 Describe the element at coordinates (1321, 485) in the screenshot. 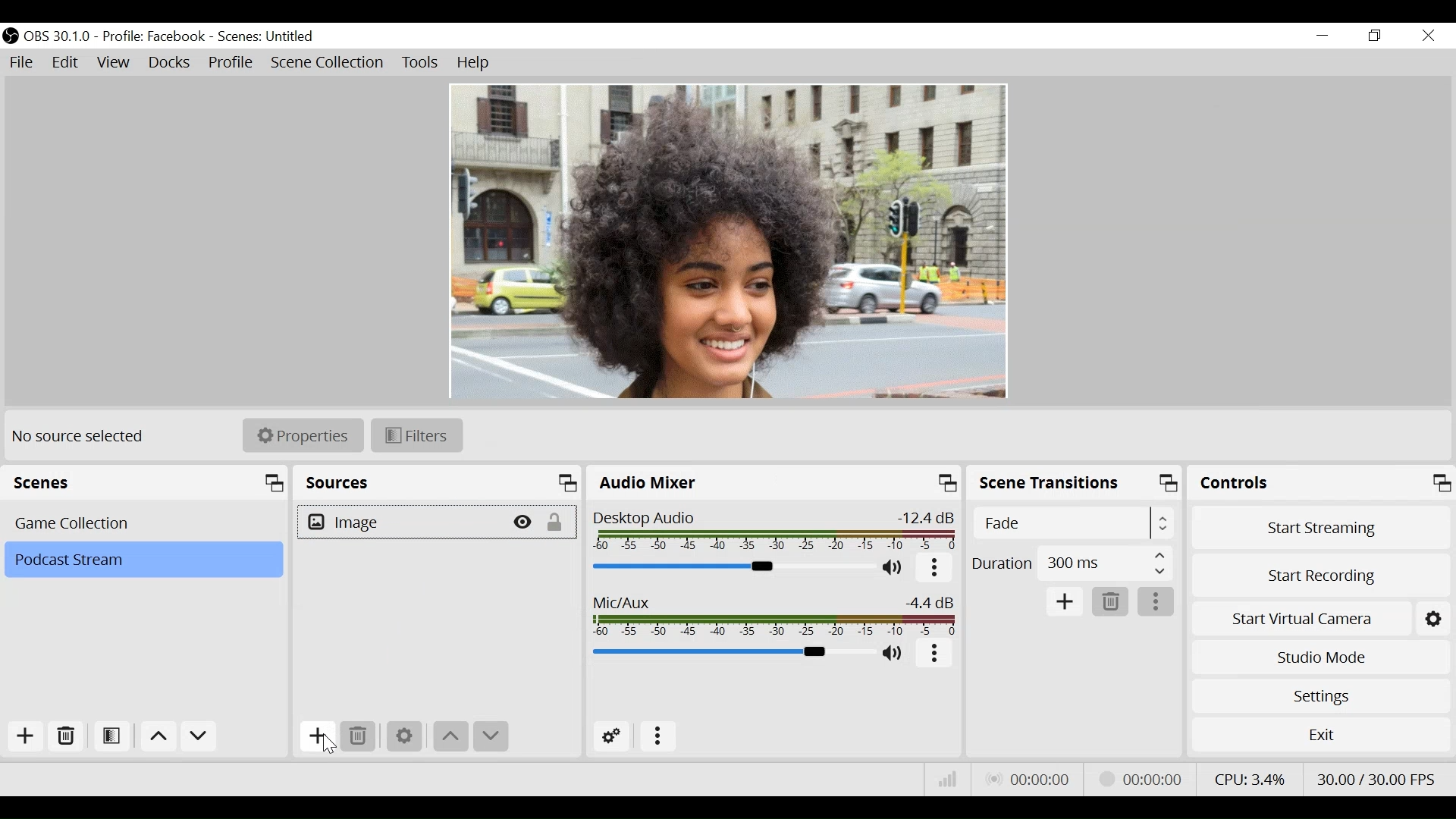

I see `Controls` at that location.